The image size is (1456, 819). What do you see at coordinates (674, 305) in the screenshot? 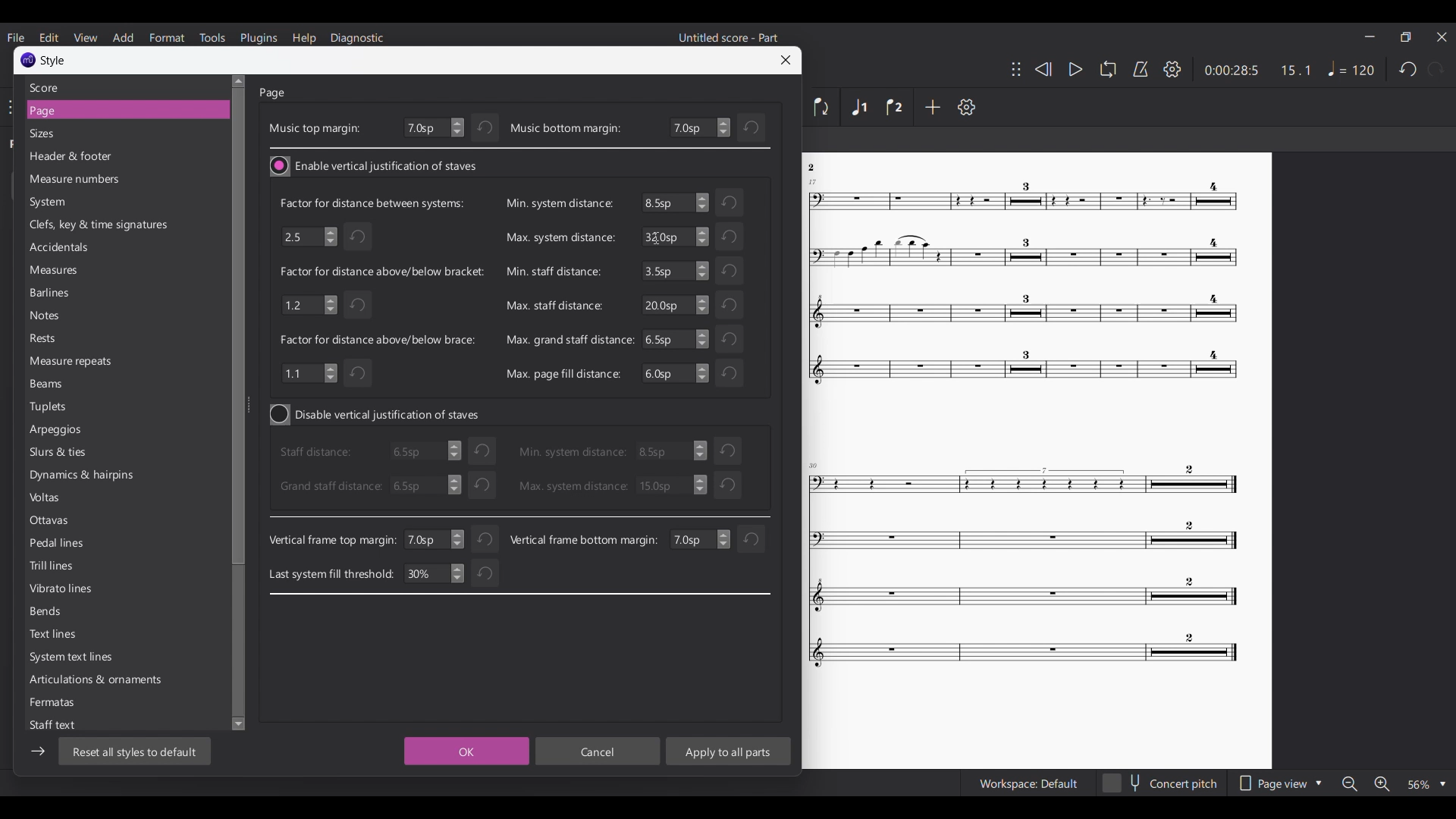
I see `20.0sp` at bounding box center [674, 305].